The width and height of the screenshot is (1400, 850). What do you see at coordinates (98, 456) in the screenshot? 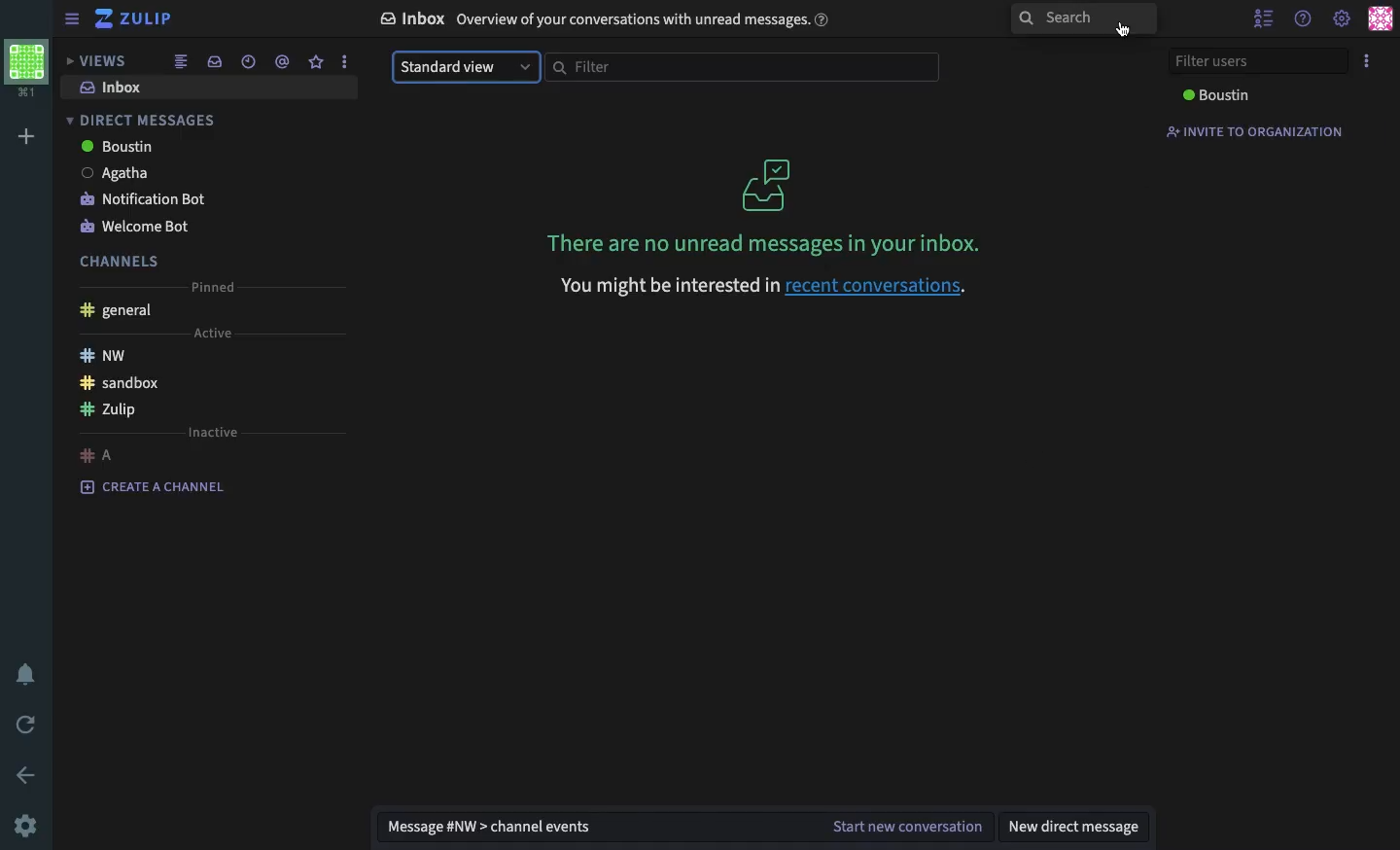
I see `a` at bounding box center [98, 456].